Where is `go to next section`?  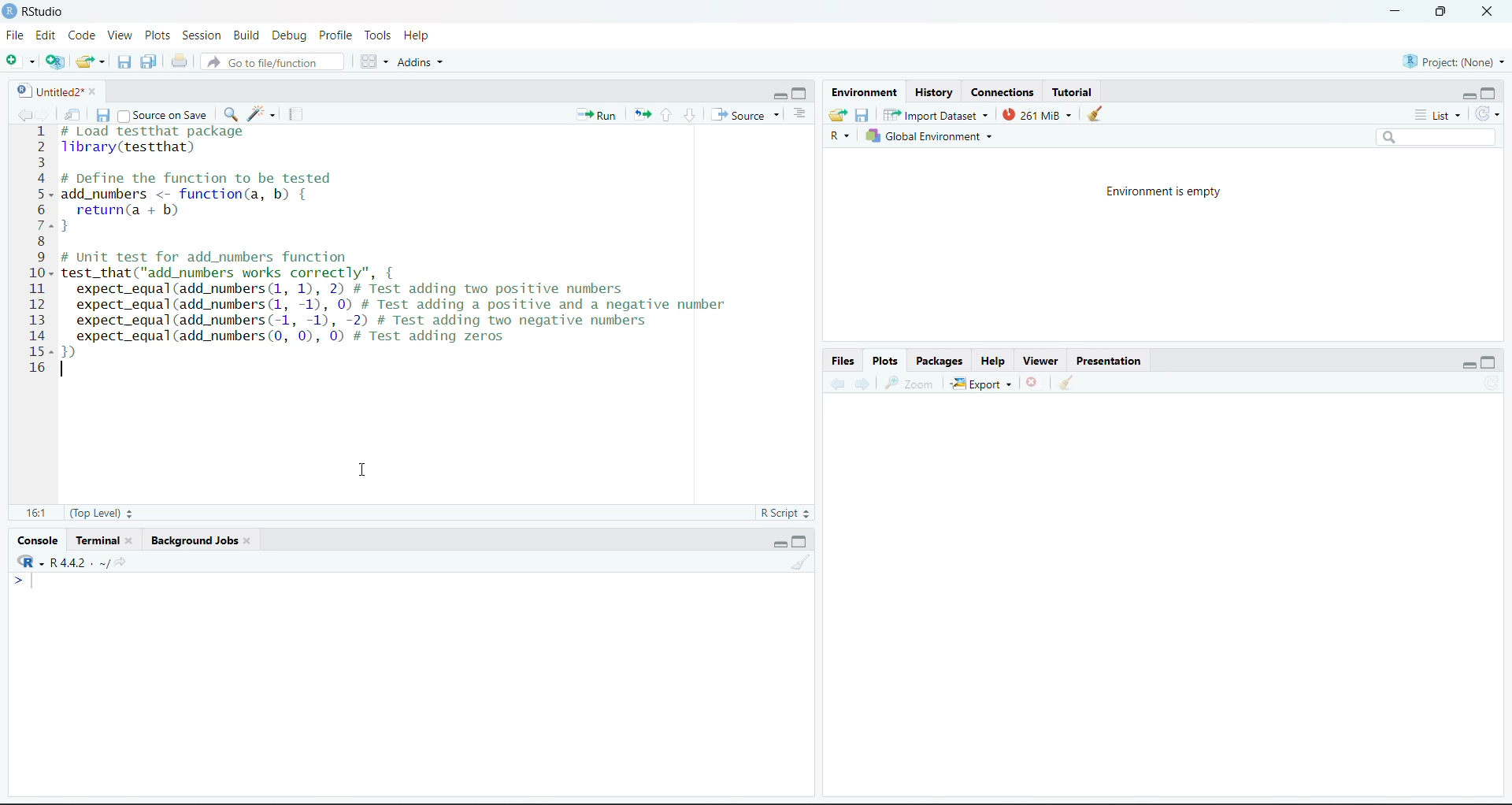 go to next section is located at coordinates (690, 113).